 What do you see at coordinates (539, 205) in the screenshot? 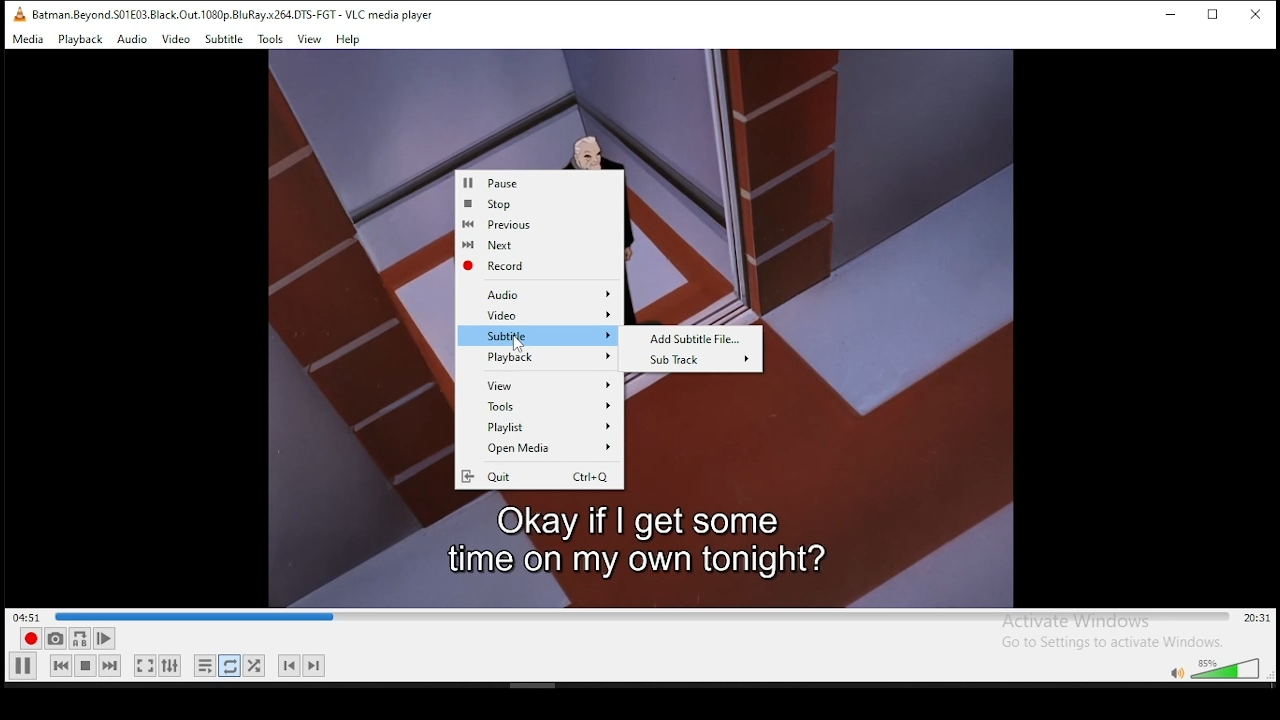
I see `Stop` at bounding box center [539, 205].